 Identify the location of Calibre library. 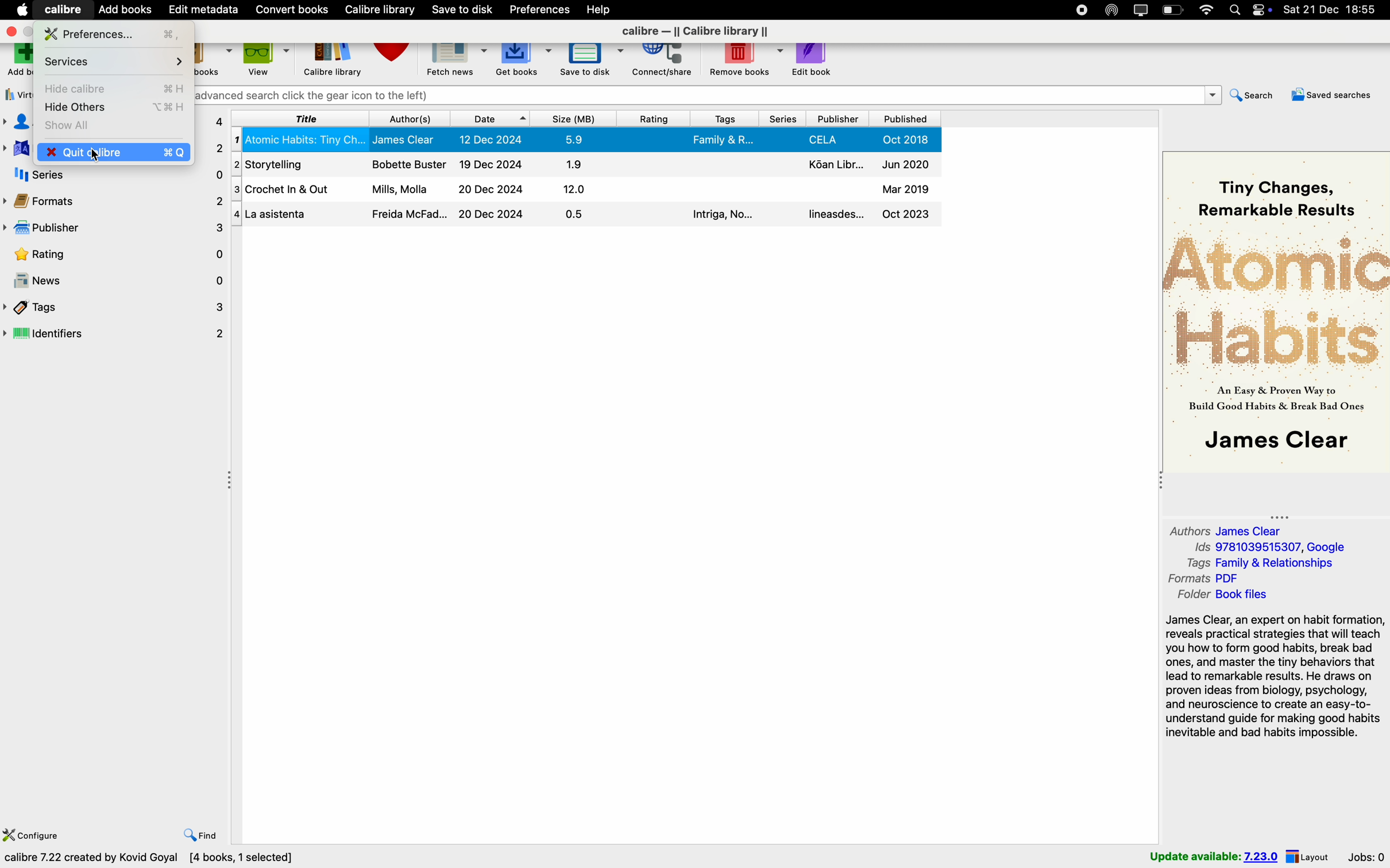
(383, 11).